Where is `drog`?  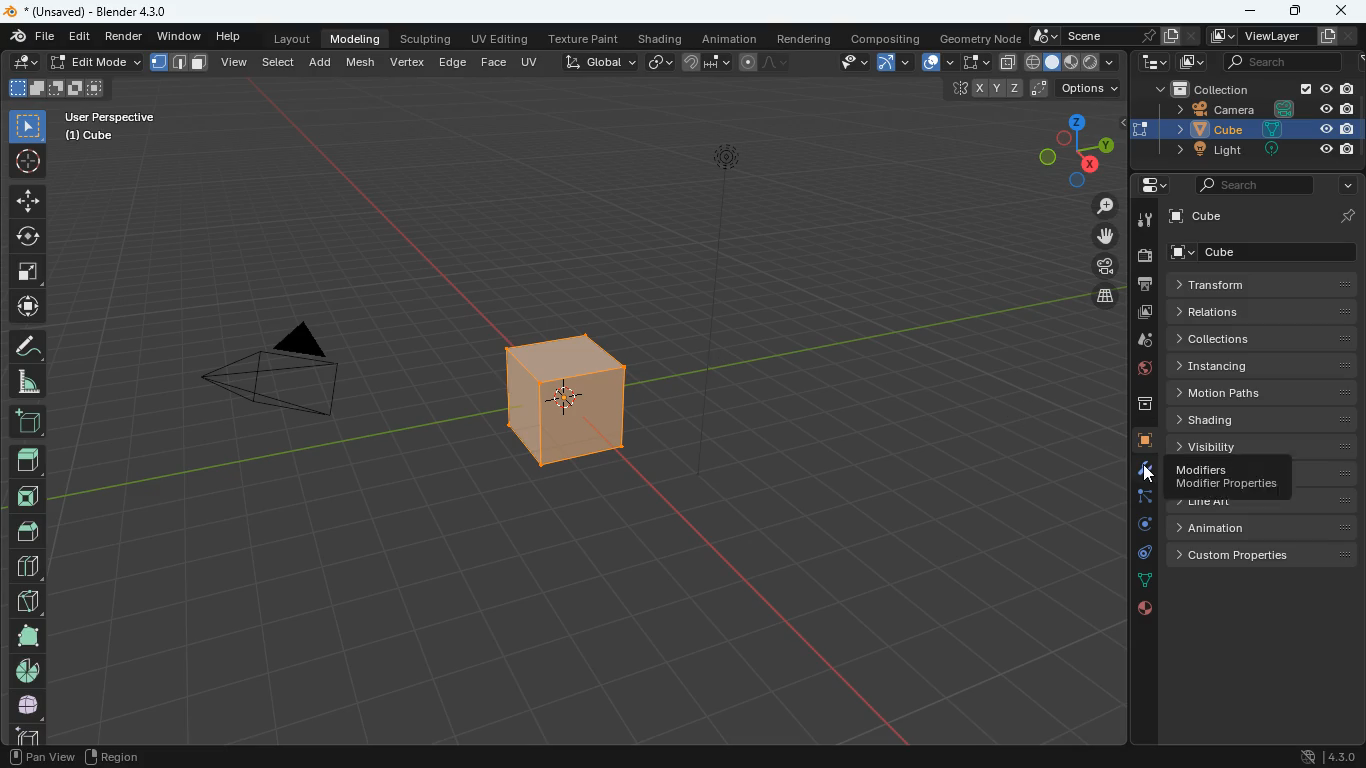
drog is located at coordinates (1137, 340).